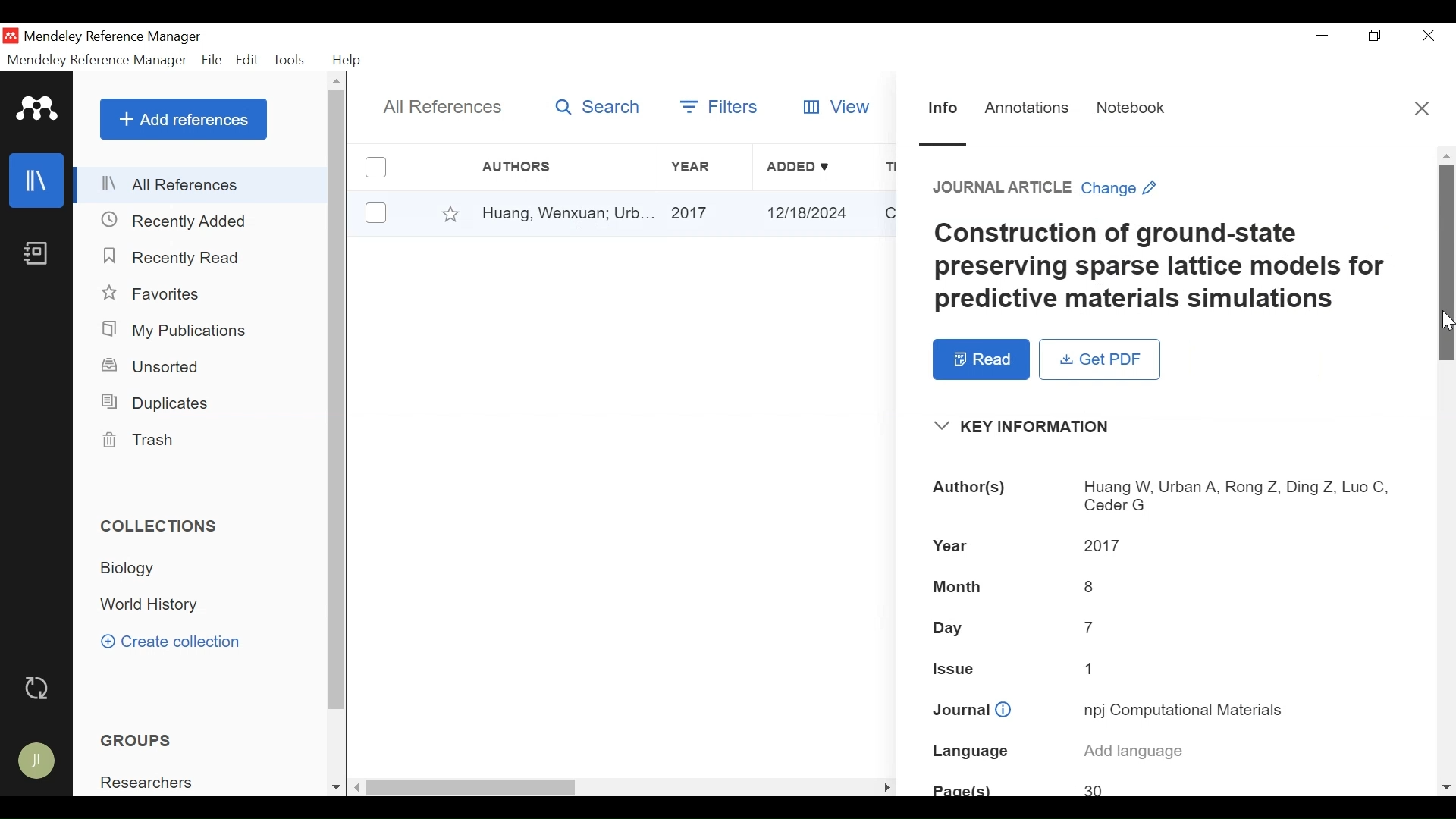 This screenshot has height=819, width=1456. I want to click on Read, so click(981, 360).